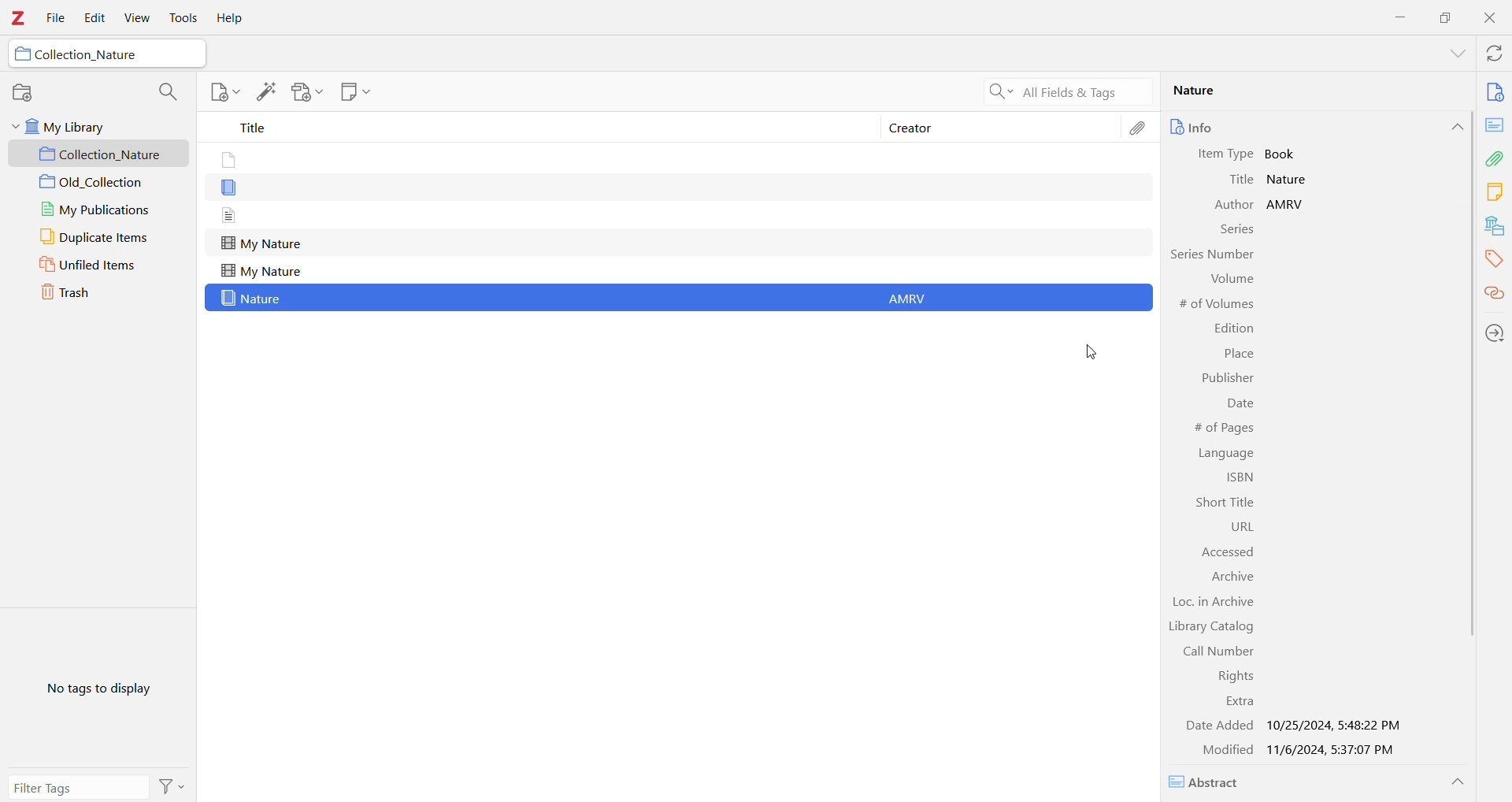  What do you see at coordinates (1447, 17) in the screenshot?
I see `Restore Down` at bounding box center [1447, 17].